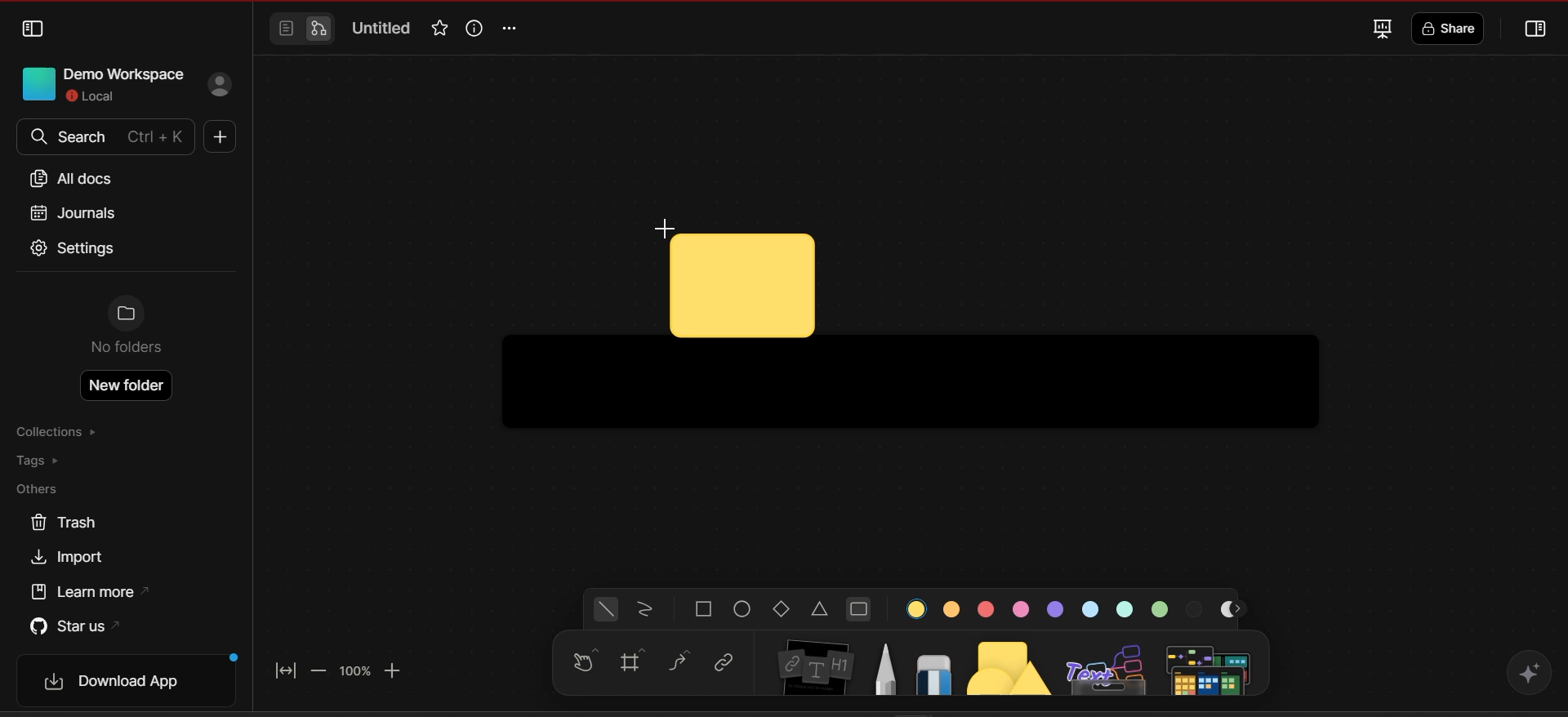 The width and height of the screenshot is (1568, 717). Describe the element at coordinates (1537, 30) in the screenshot. I see `collapse or open sidebar` at that location.